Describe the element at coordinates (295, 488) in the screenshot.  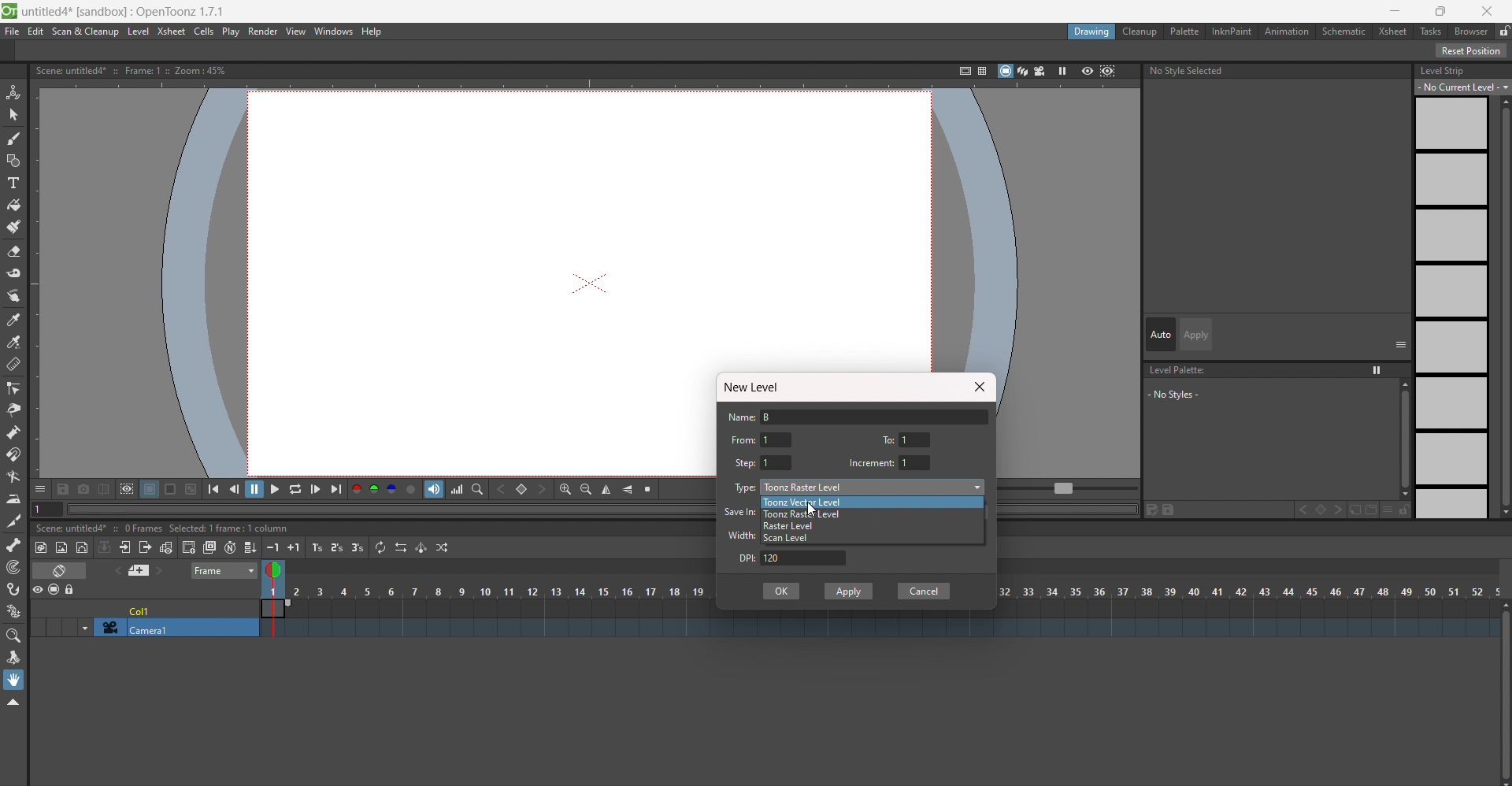
I see `loop` at that location.